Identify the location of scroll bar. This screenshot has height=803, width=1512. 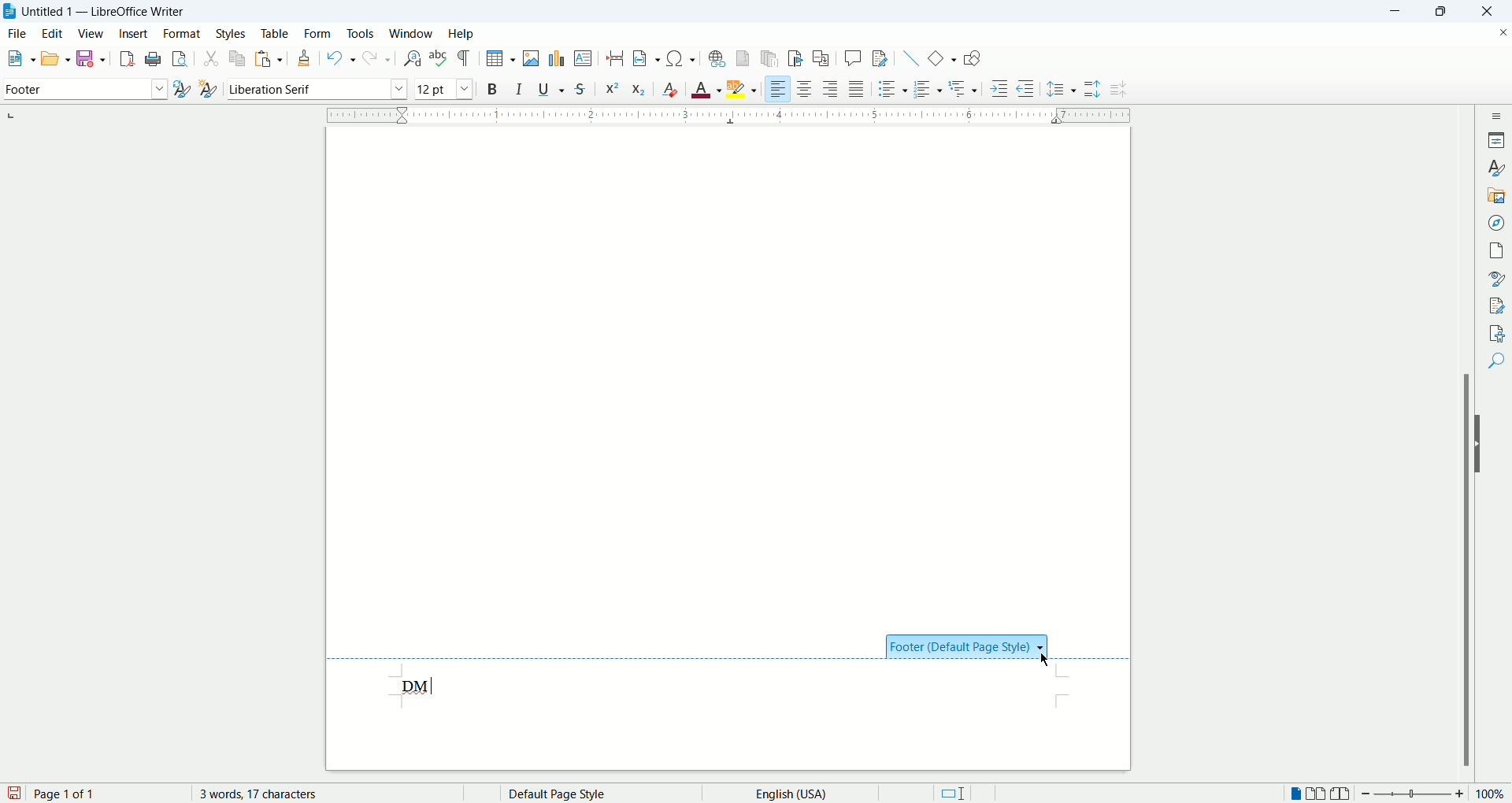
(1469, 442).